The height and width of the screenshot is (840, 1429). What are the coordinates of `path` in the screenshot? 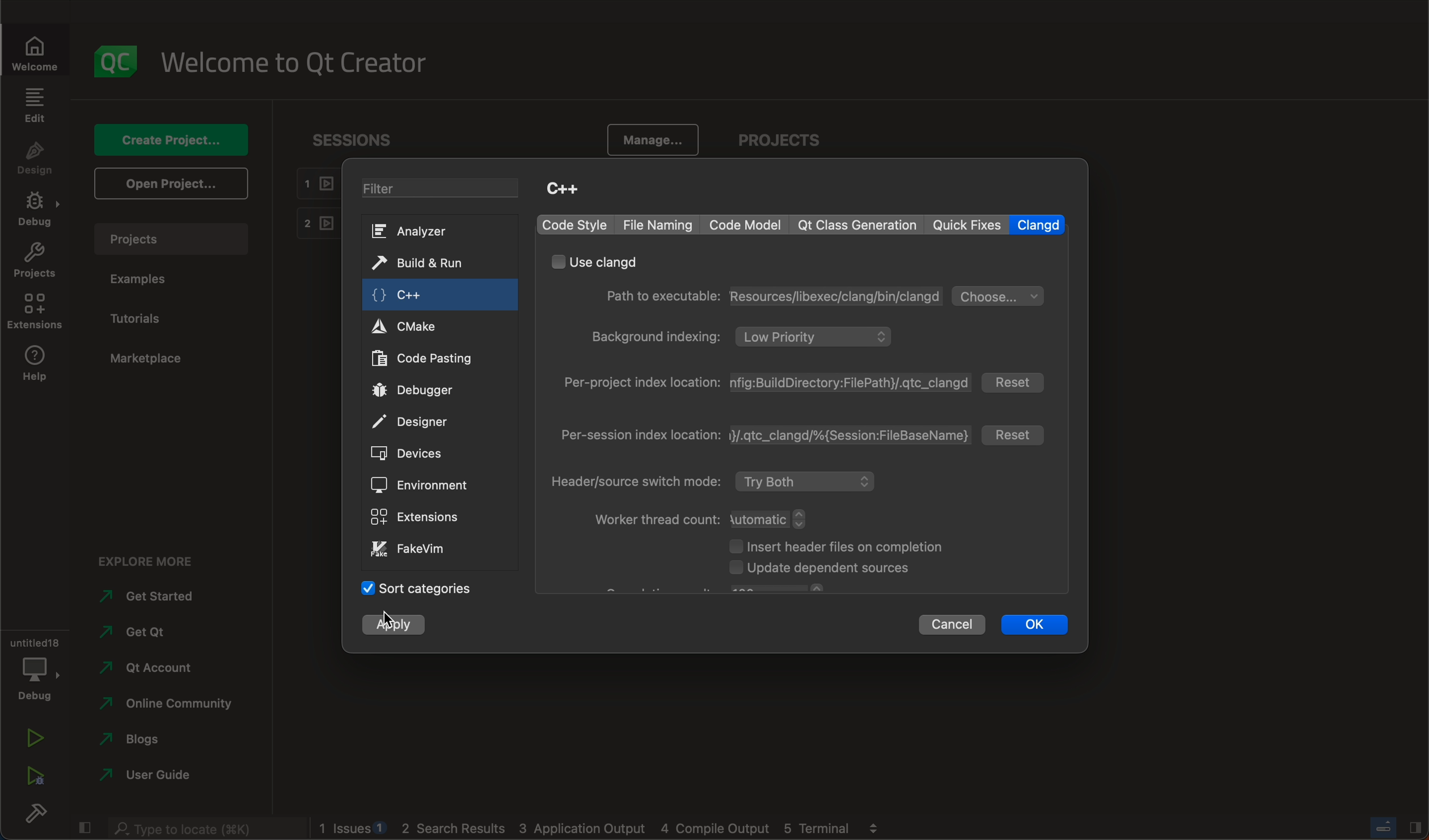 It's located at (768, 296).